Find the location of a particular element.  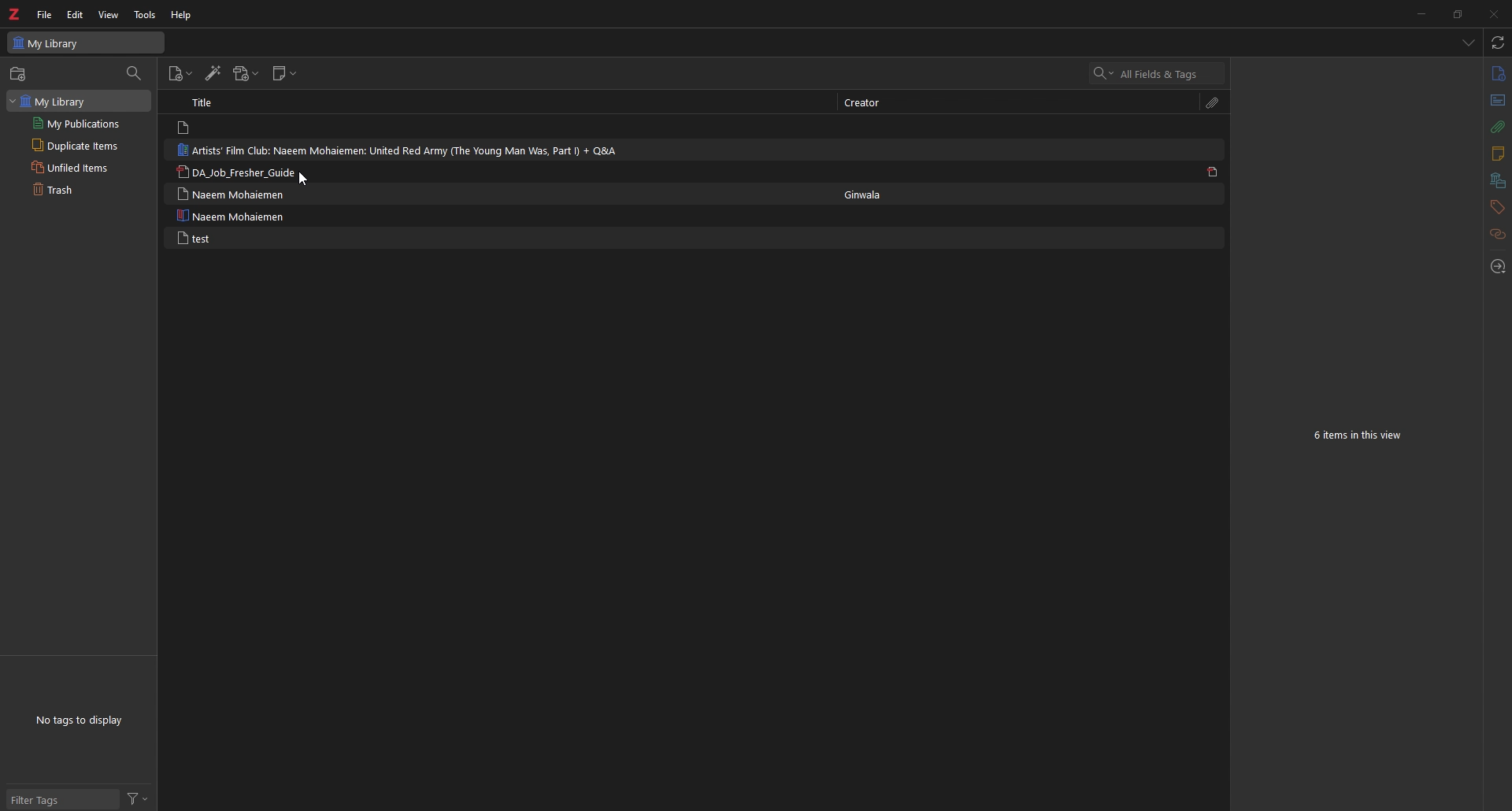

all field and tags is located at coordinates (1157, 73).